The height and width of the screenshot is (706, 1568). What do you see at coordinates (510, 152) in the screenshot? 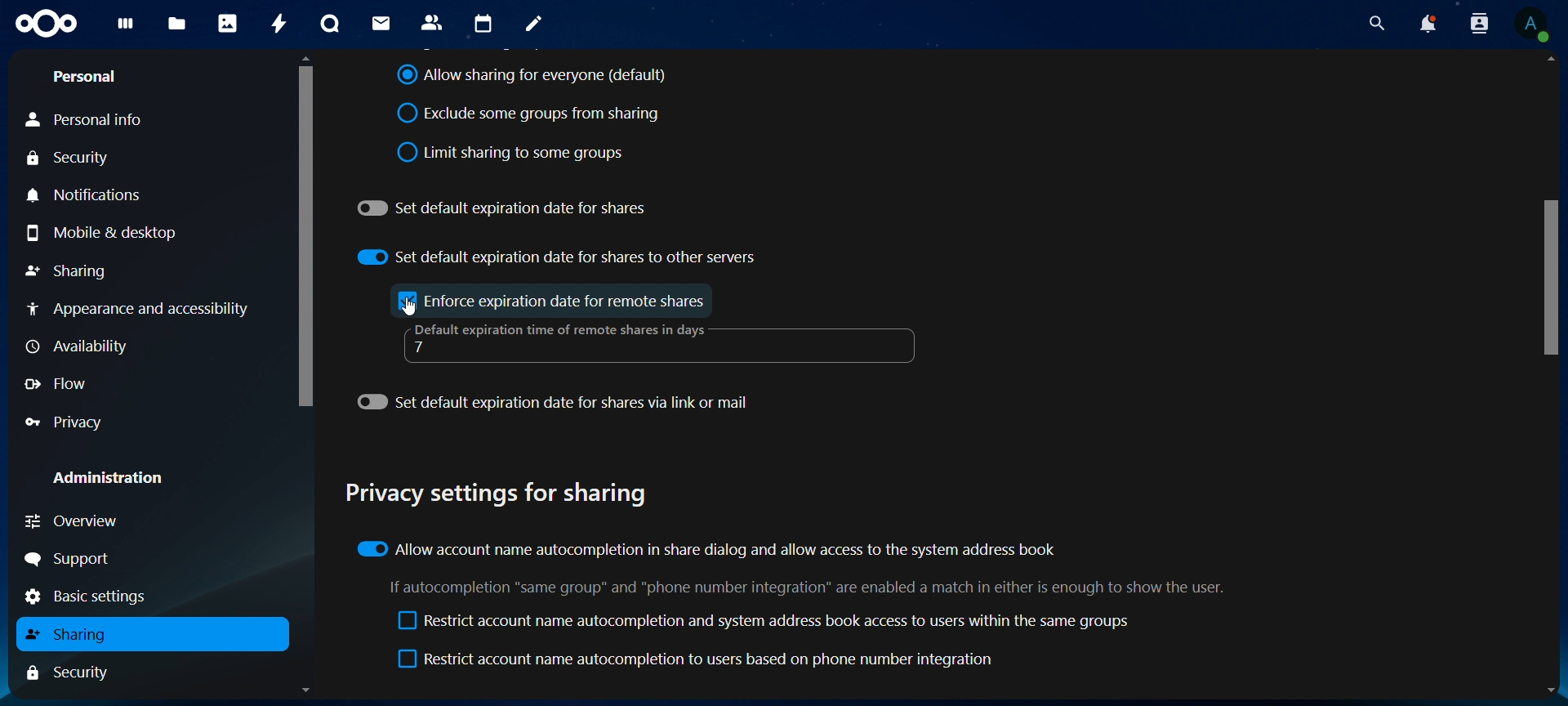
I see `limit sharing to some groups` at bounding box center [510, 152].